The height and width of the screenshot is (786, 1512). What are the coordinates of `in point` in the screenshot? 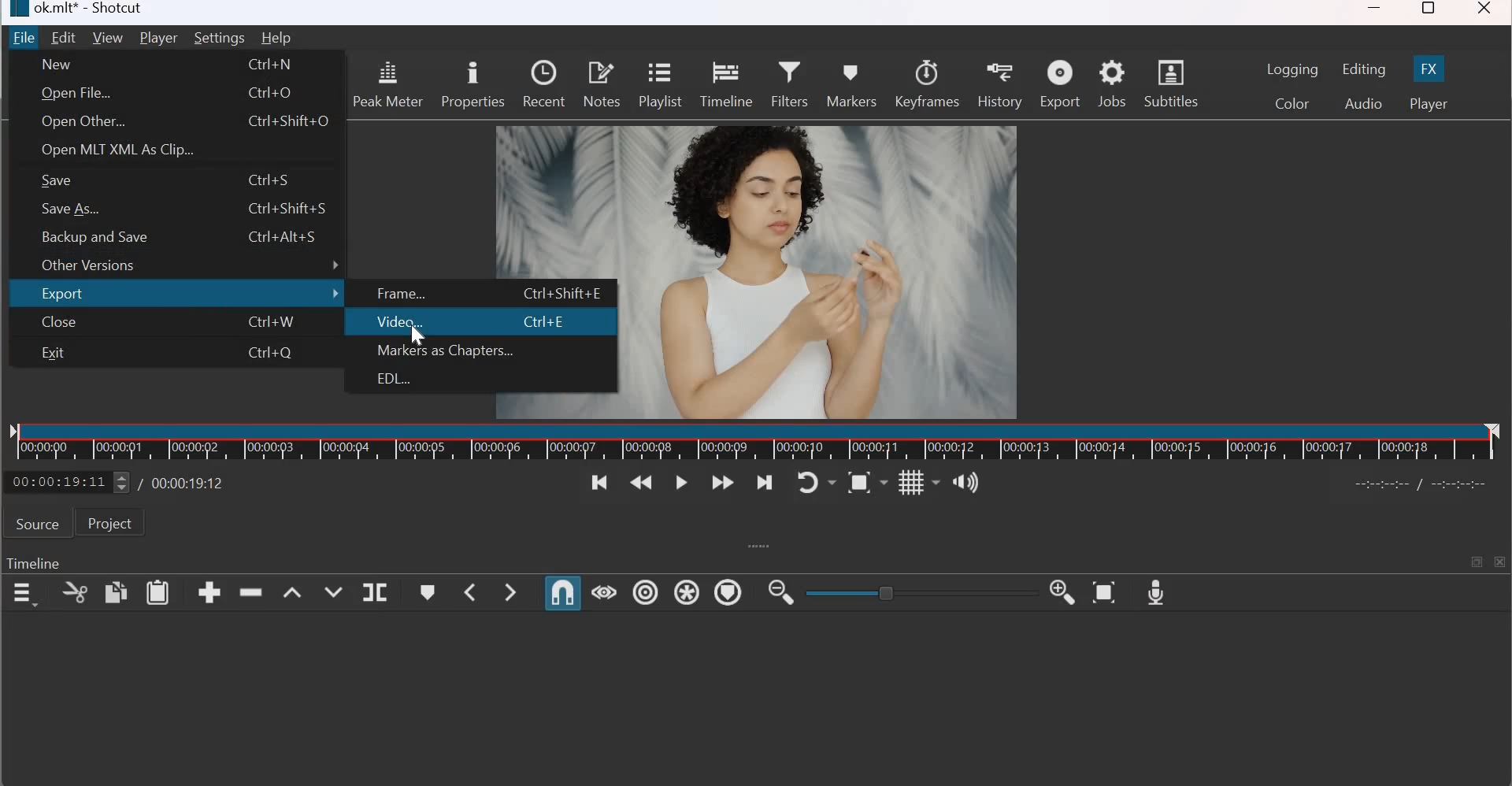 It's located at (1425, 486).